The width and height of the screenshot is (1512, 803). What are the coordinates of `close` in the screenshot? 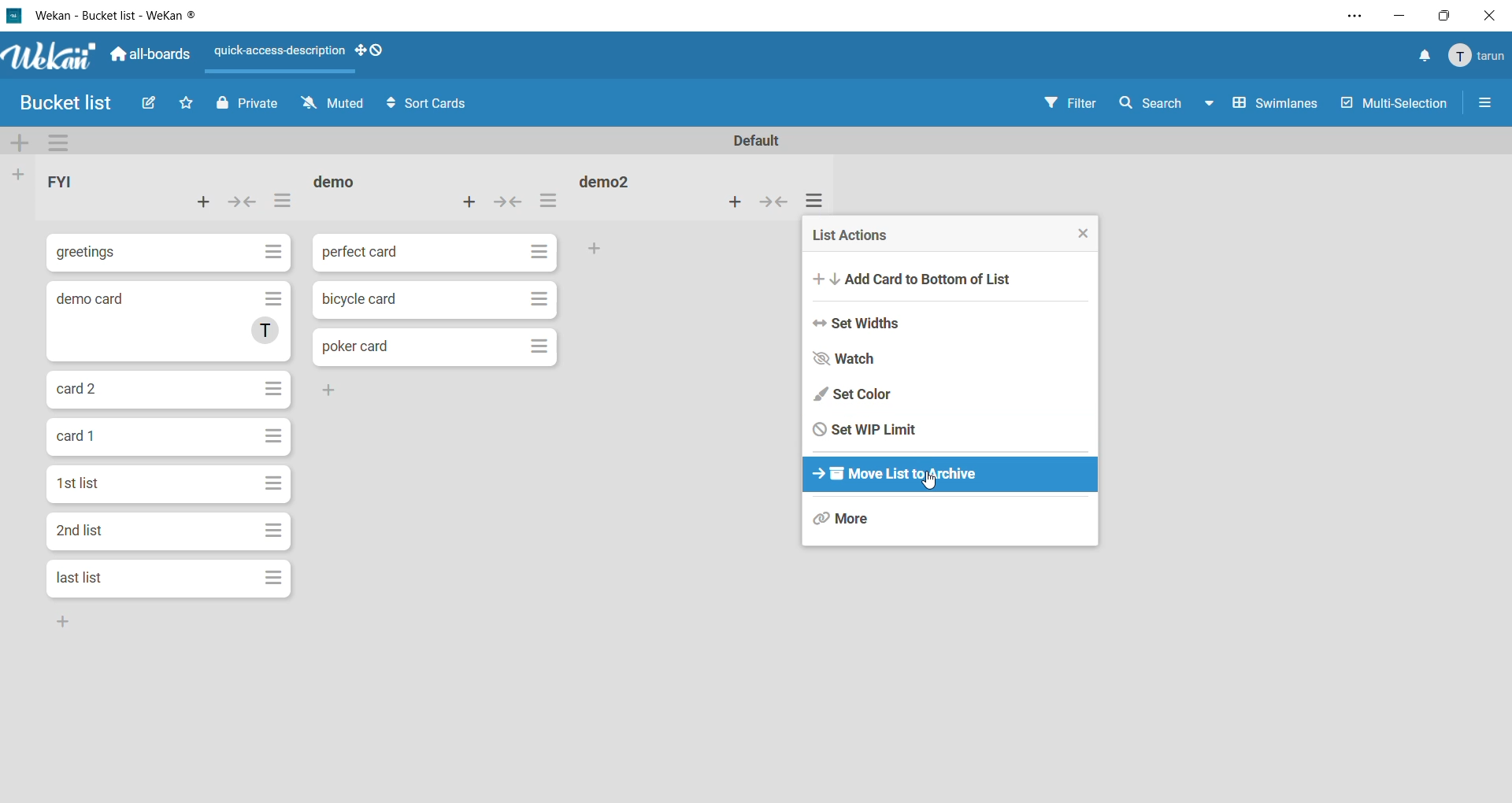 It's located at (1084, 234).